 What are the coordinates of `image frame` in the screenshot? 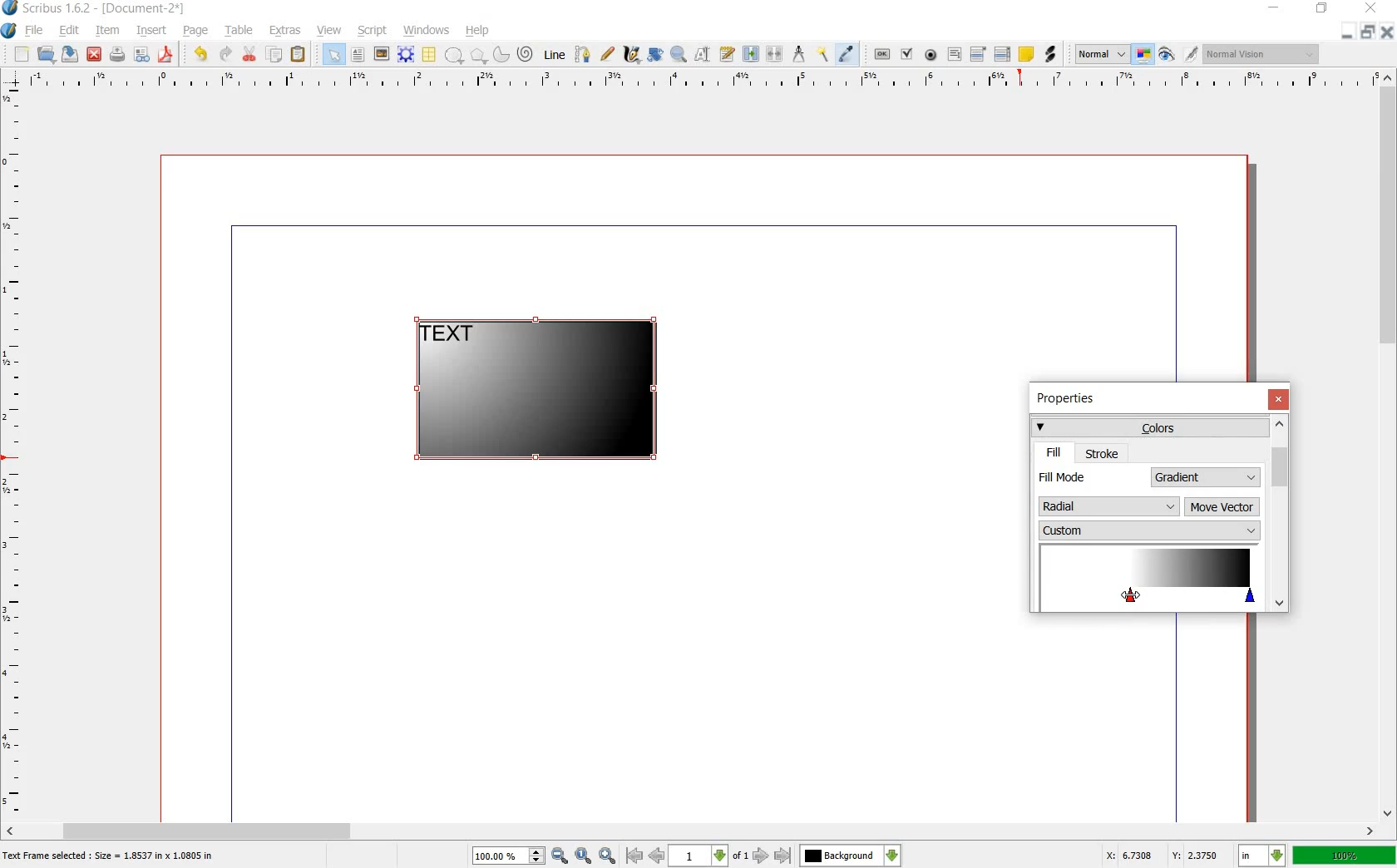 It's located at (380, 54).